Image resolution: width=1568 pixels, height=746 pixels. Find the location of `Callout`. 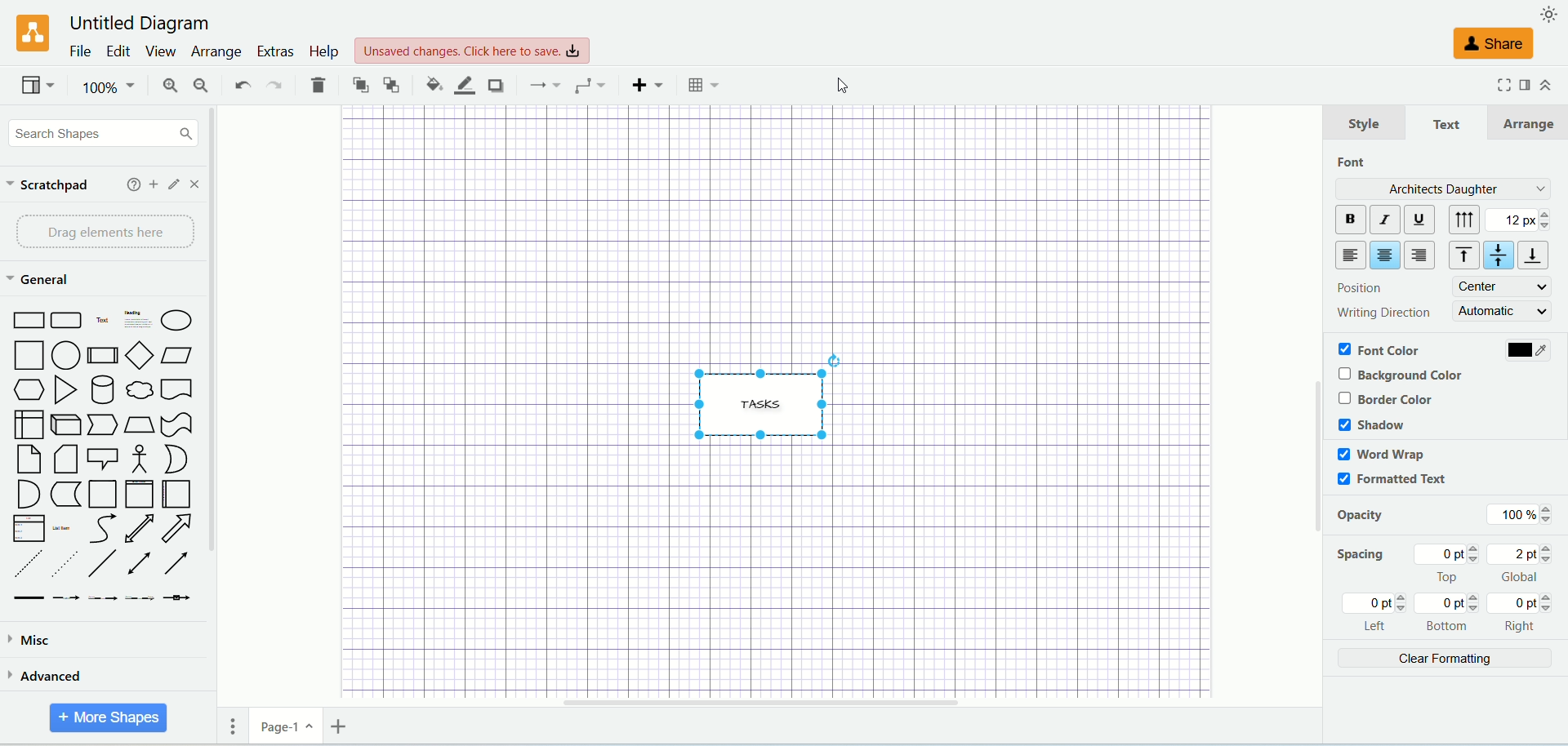

Callout is located at coordinates (103, 458).